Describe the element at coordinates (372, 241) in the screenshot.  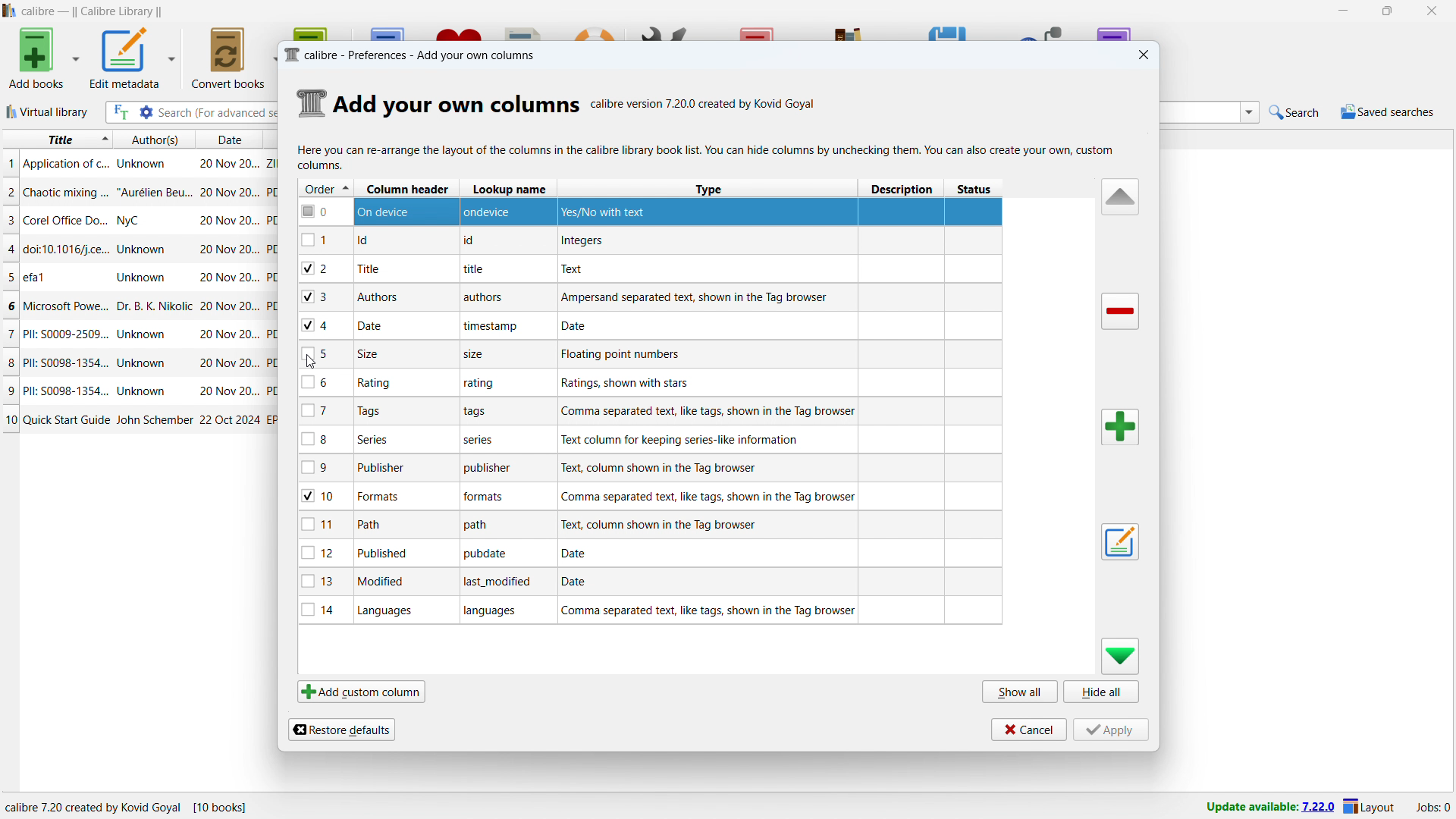
I see `id` at that location.